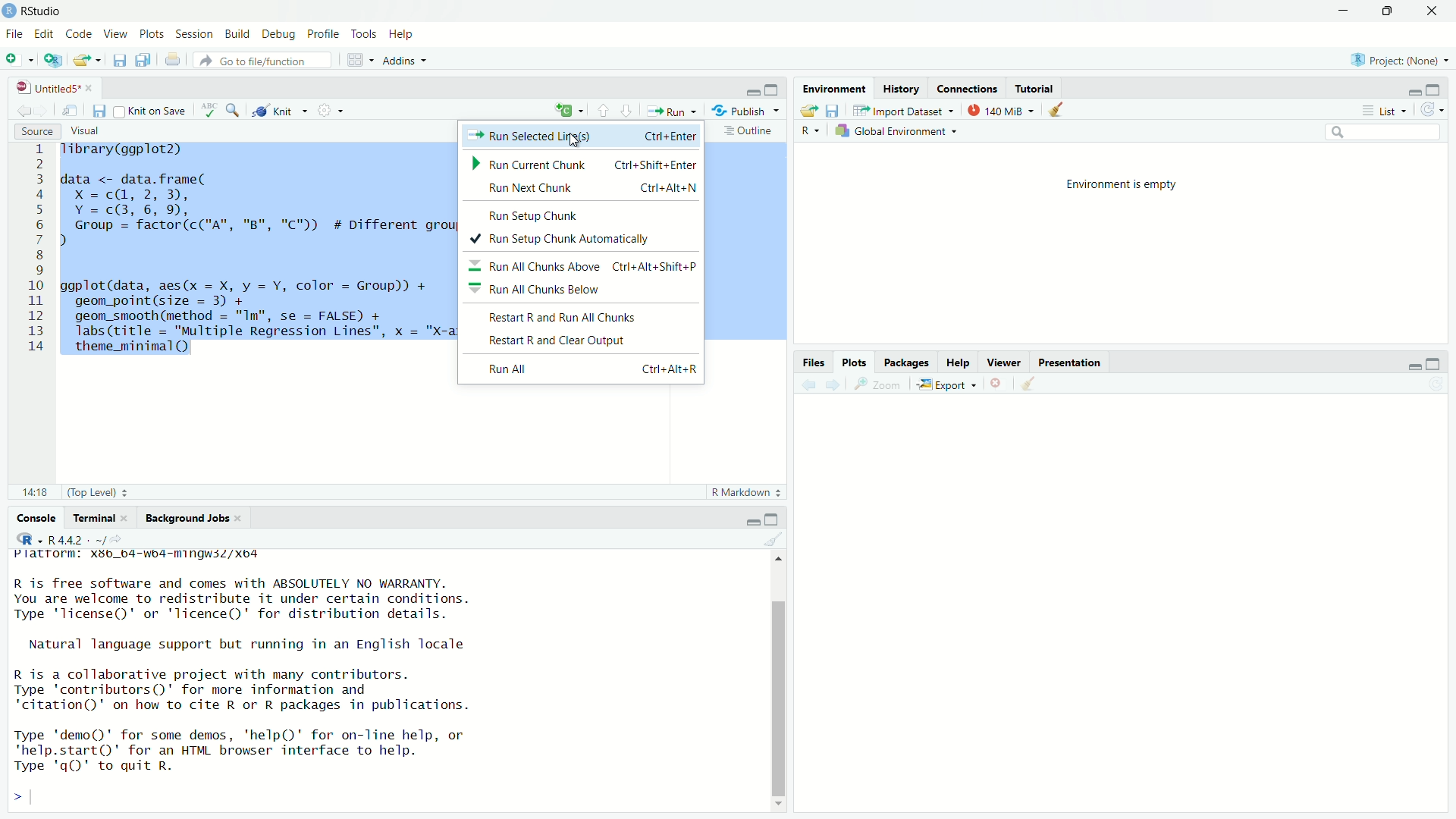 This screenshot has width=1456, height=819. What do you see at coordinates (152, 35) in the screenshot?
I see `Plots` at bounding box center [152, 35].